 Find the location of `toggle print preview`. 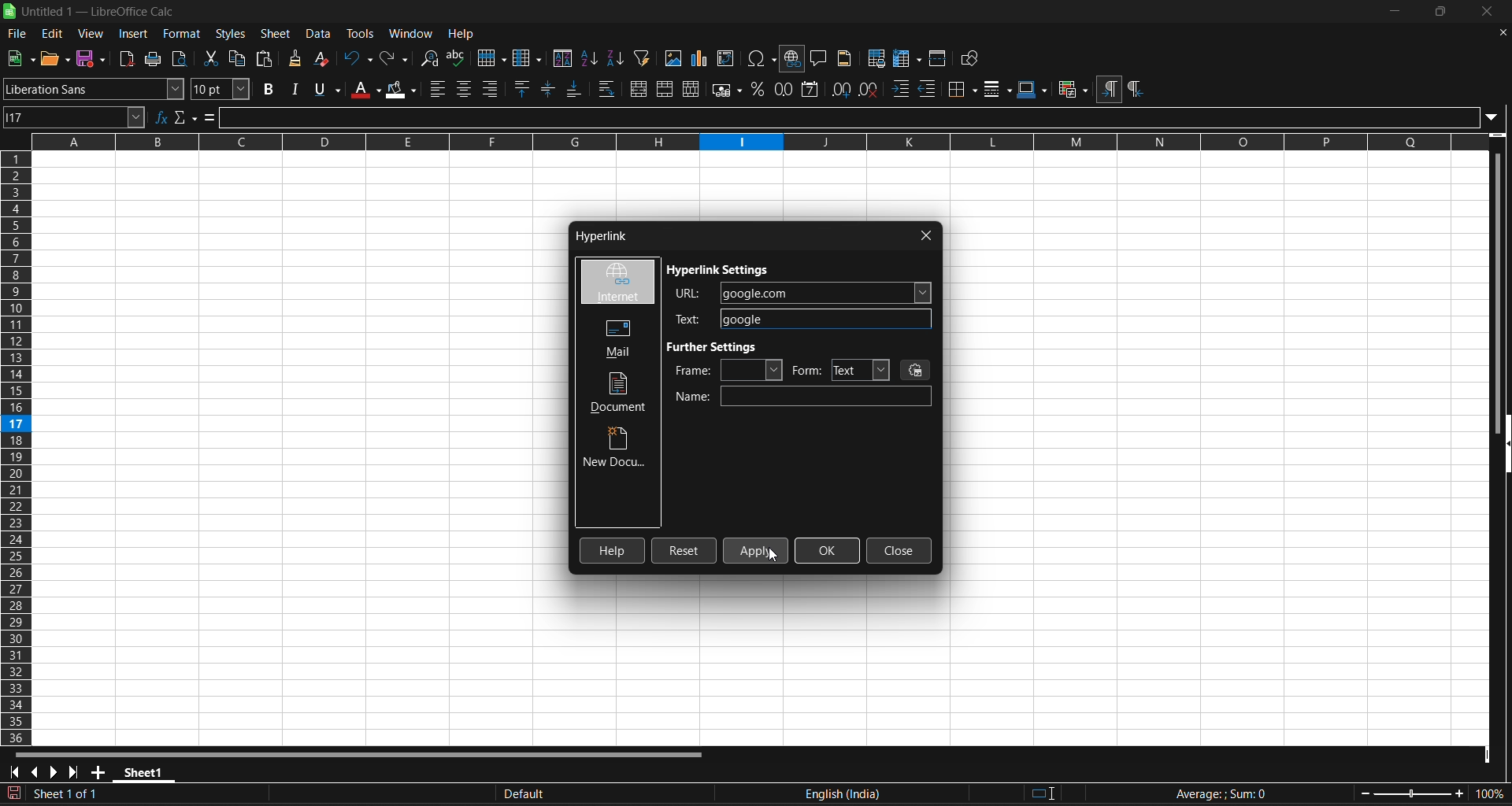

toggle print preview is located at coordinates (183, 59).